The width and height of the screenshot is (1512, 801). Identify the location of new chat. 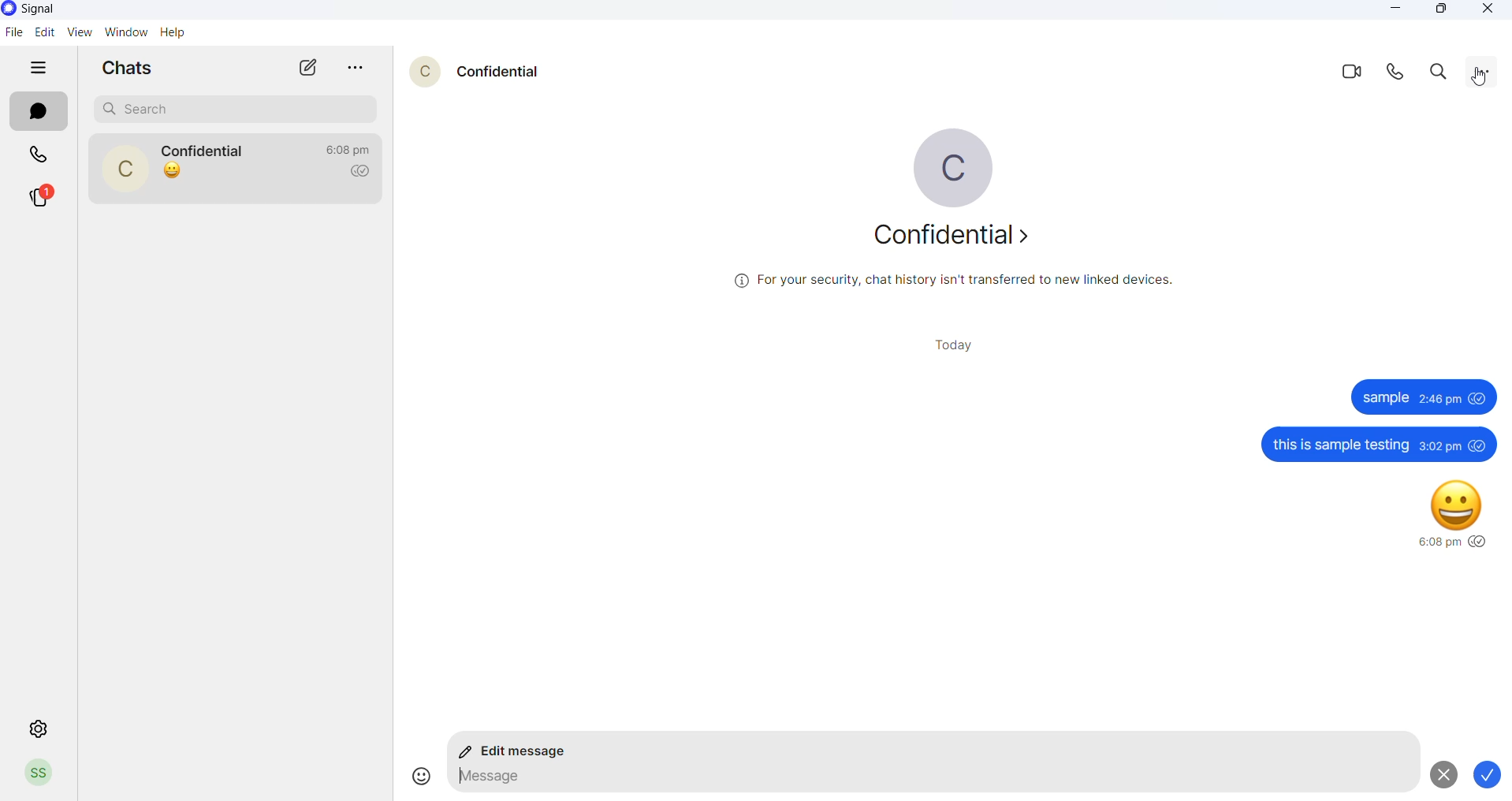
(308, 67).